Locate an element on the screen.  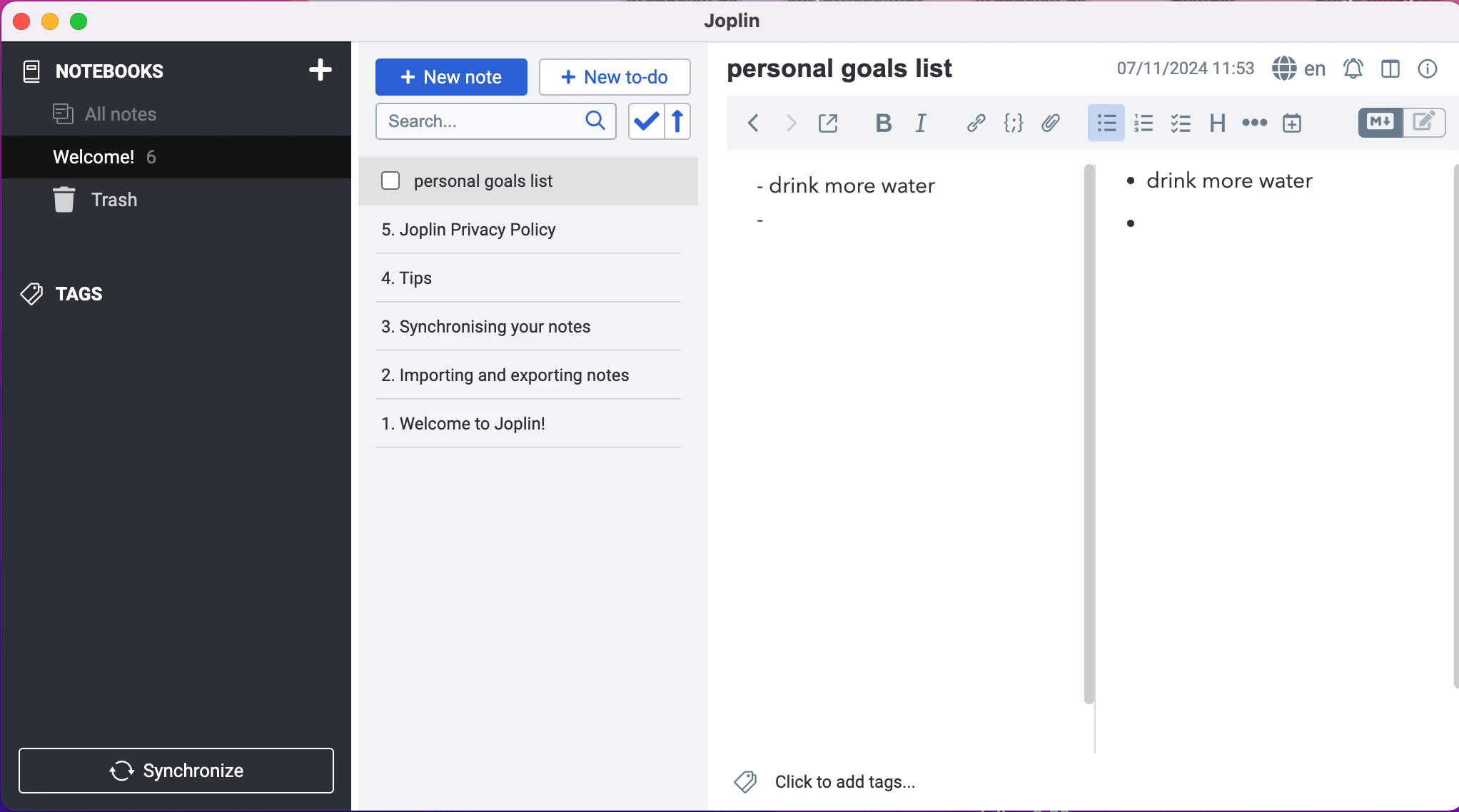
toggle editors is located at coordinates (1389, 123).